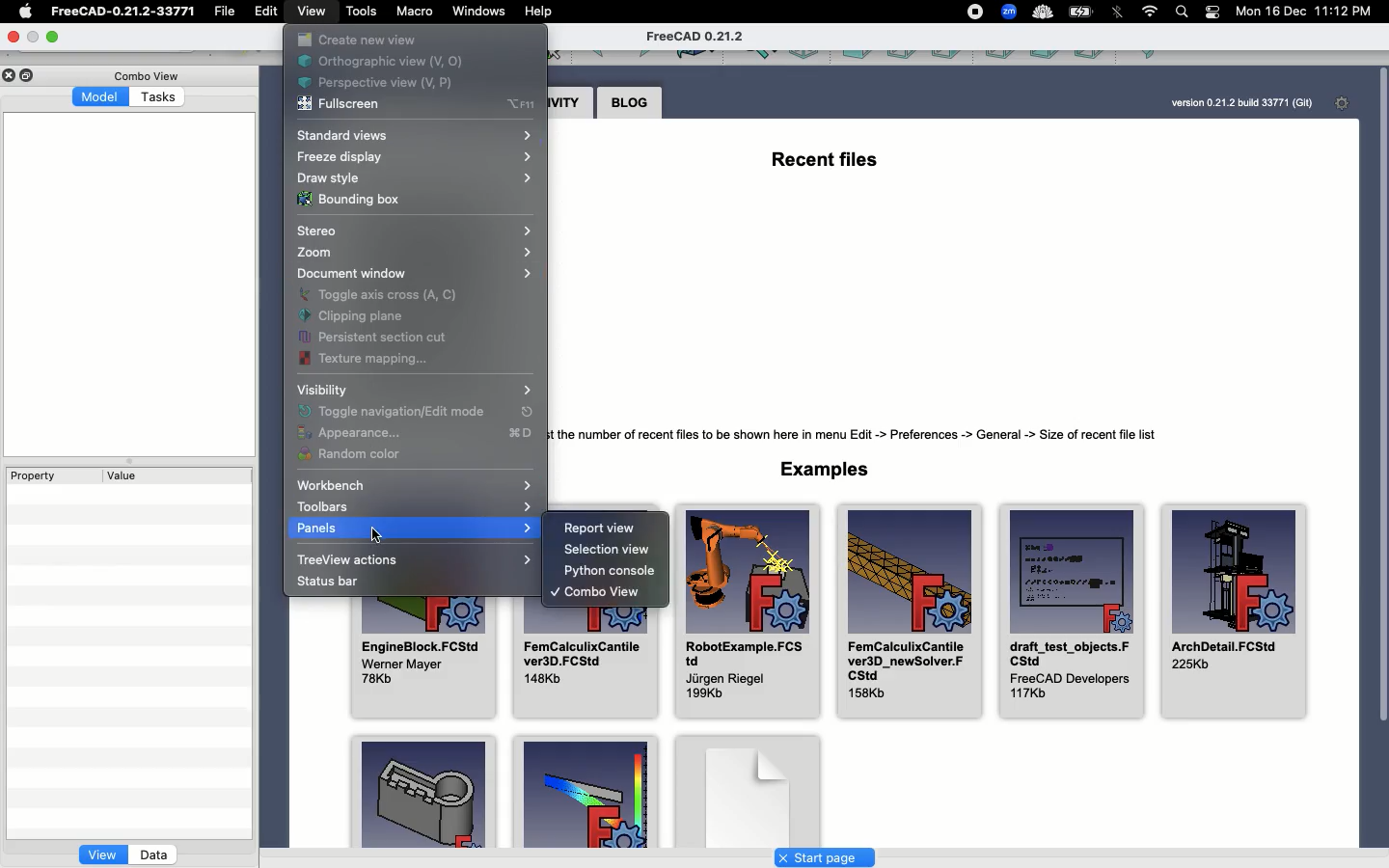 This screenshot has height=868, width=1389. Describe the element at coordinates (828, 470) in the screenshot. I see `Examples` at that location.